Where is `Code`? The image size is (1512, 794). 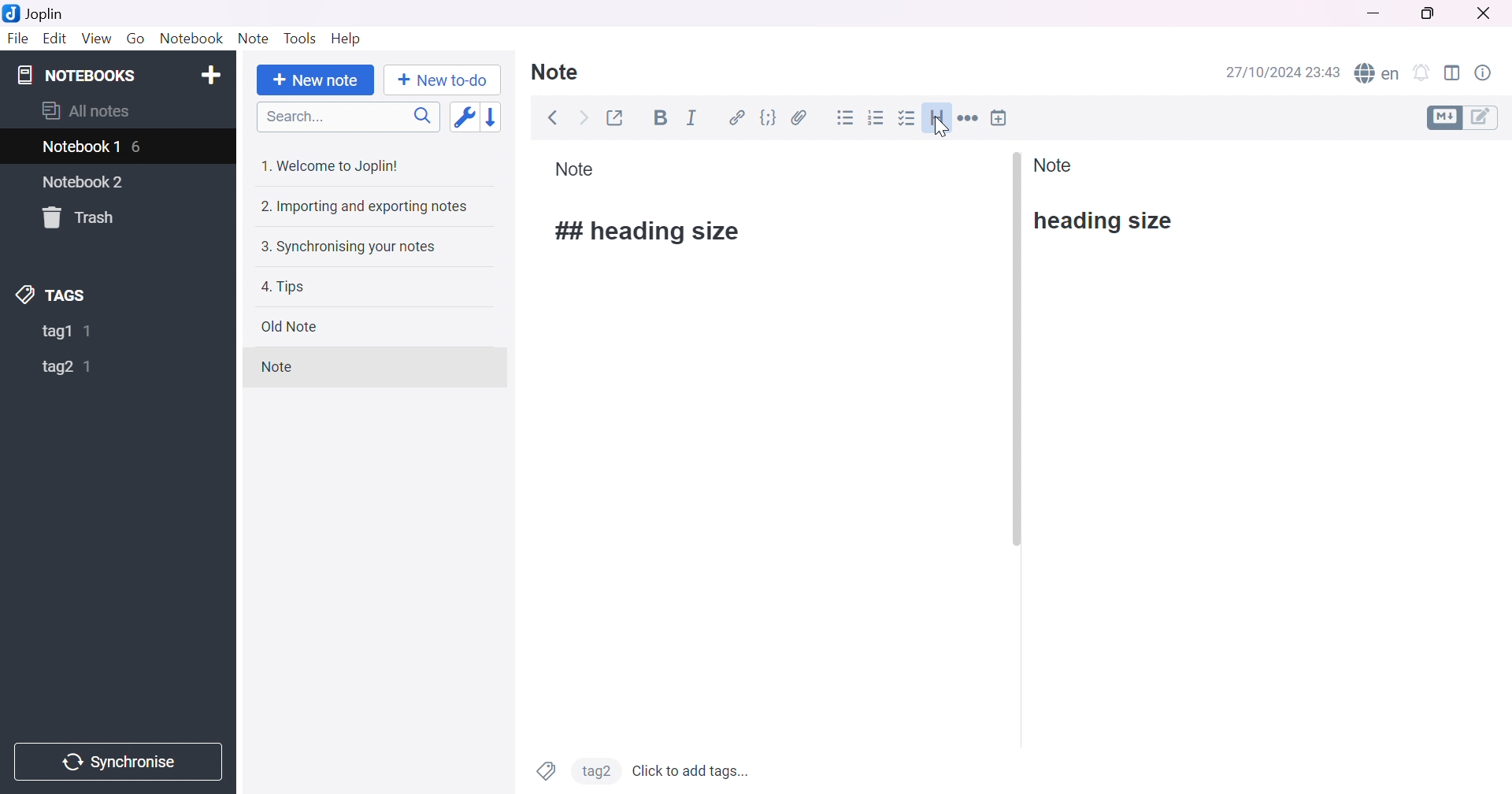 Code is located at coordinates (769, 118).